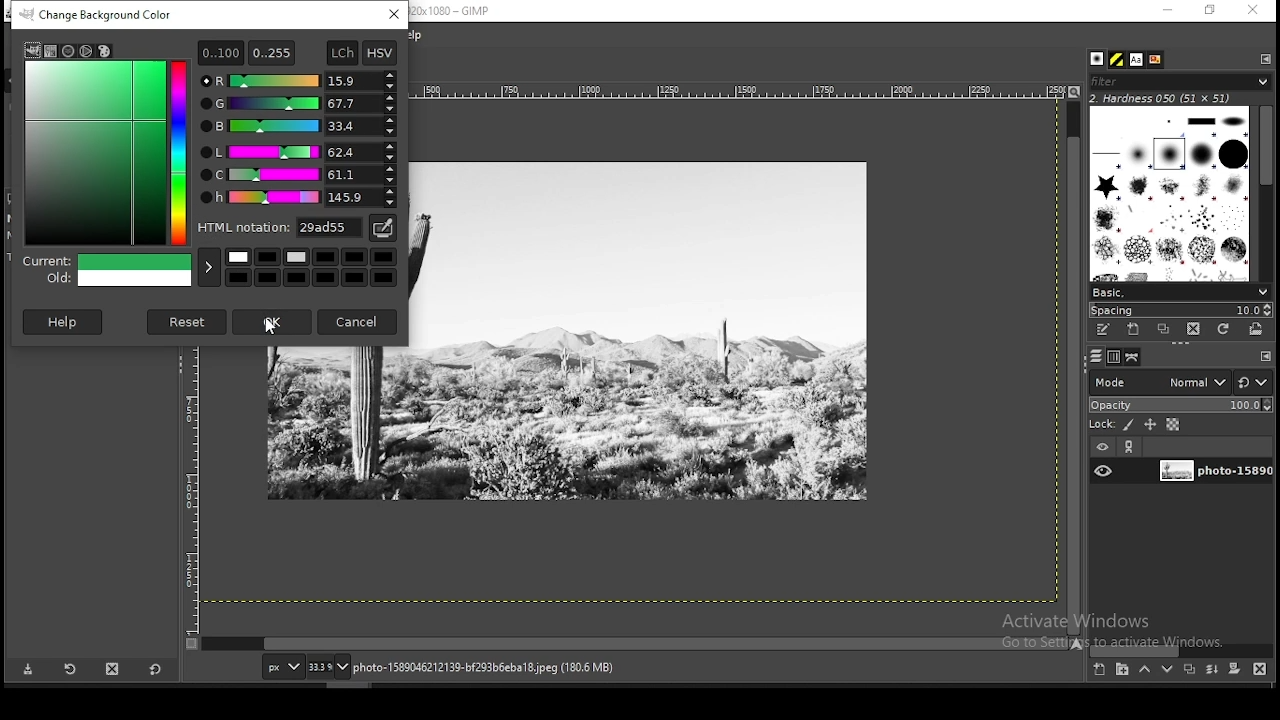 This screenshot has height=720, width=1280. I want to click on color, so click(314, 265).